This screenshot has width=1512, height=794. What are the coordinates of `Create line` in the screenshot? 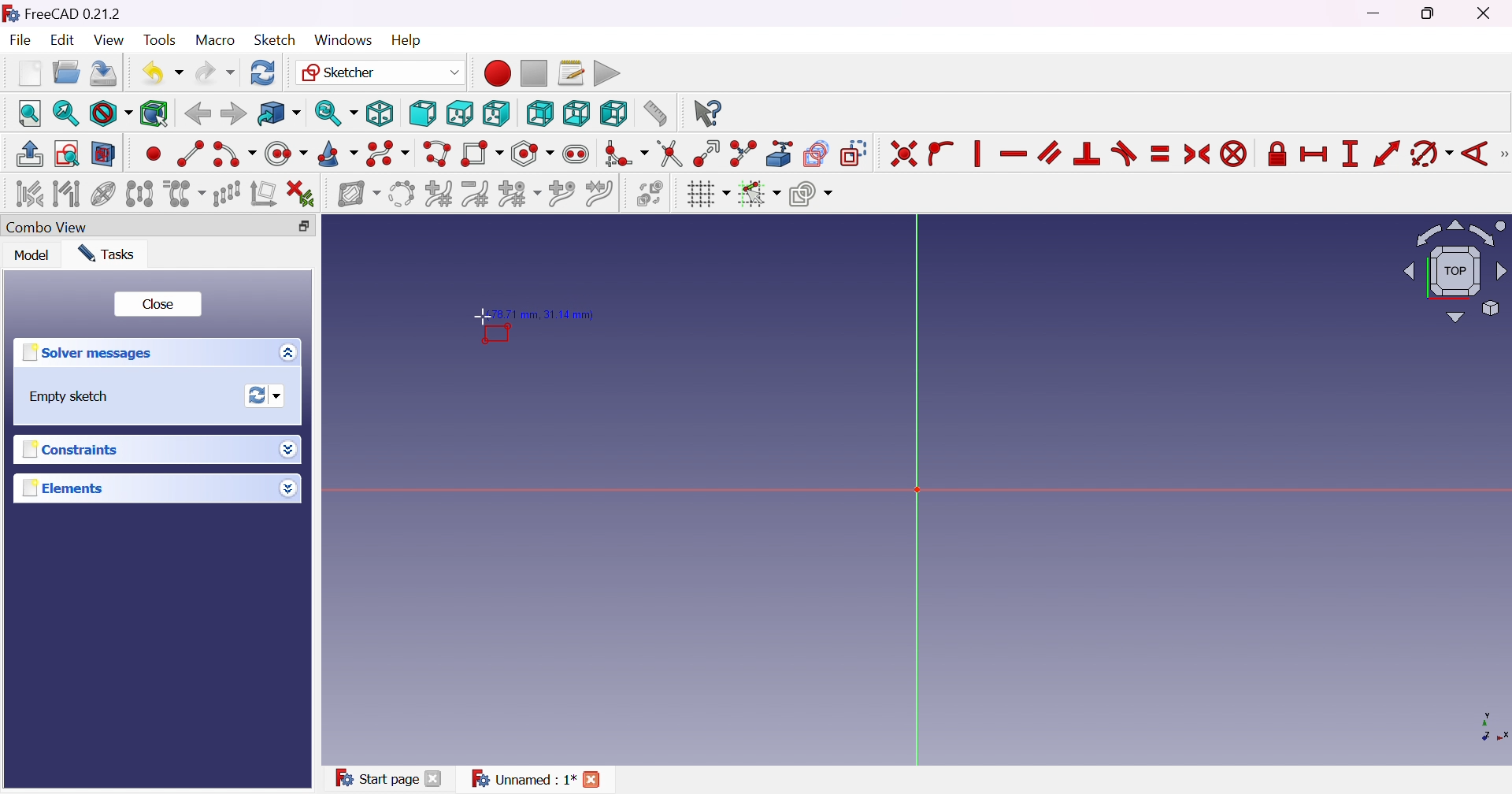 It's located at (189, 152).